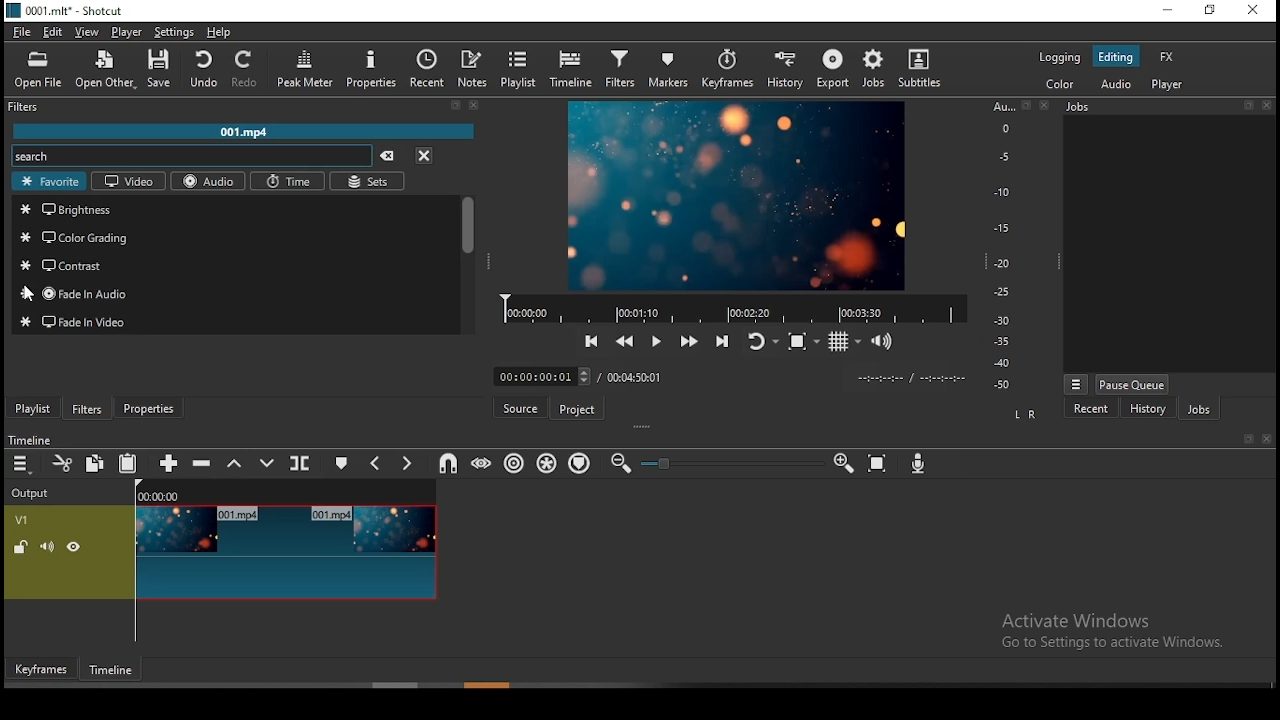 The width and height of the screenshot is (1280, 720). What do you see at coordinates (1203, 409) in the screenshot?
I see `jobs` at bounding box center [1203, 409].